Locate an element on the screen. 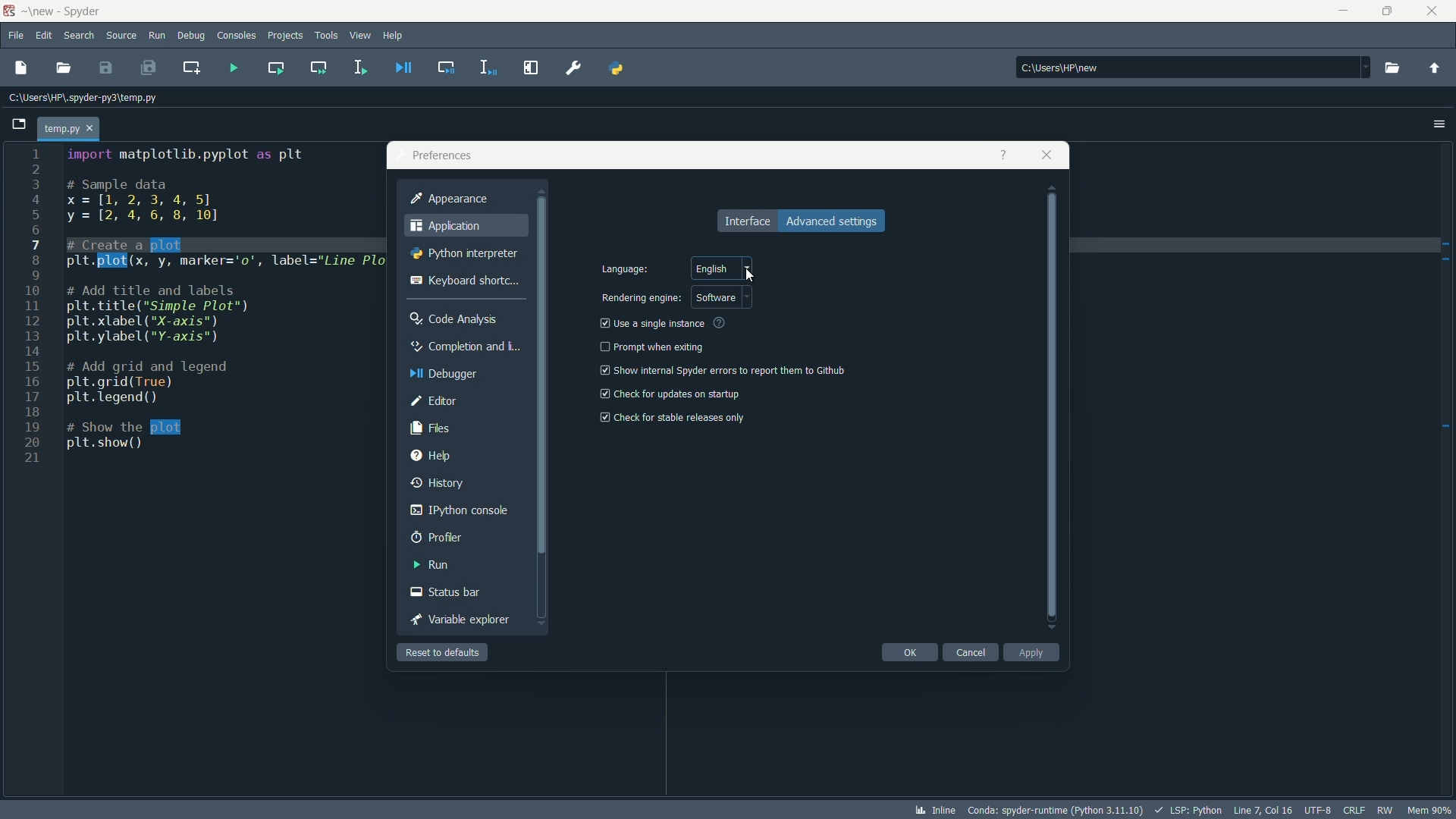 The image size is (1456, 819). parent directory is located at coordinates (1435, 69).